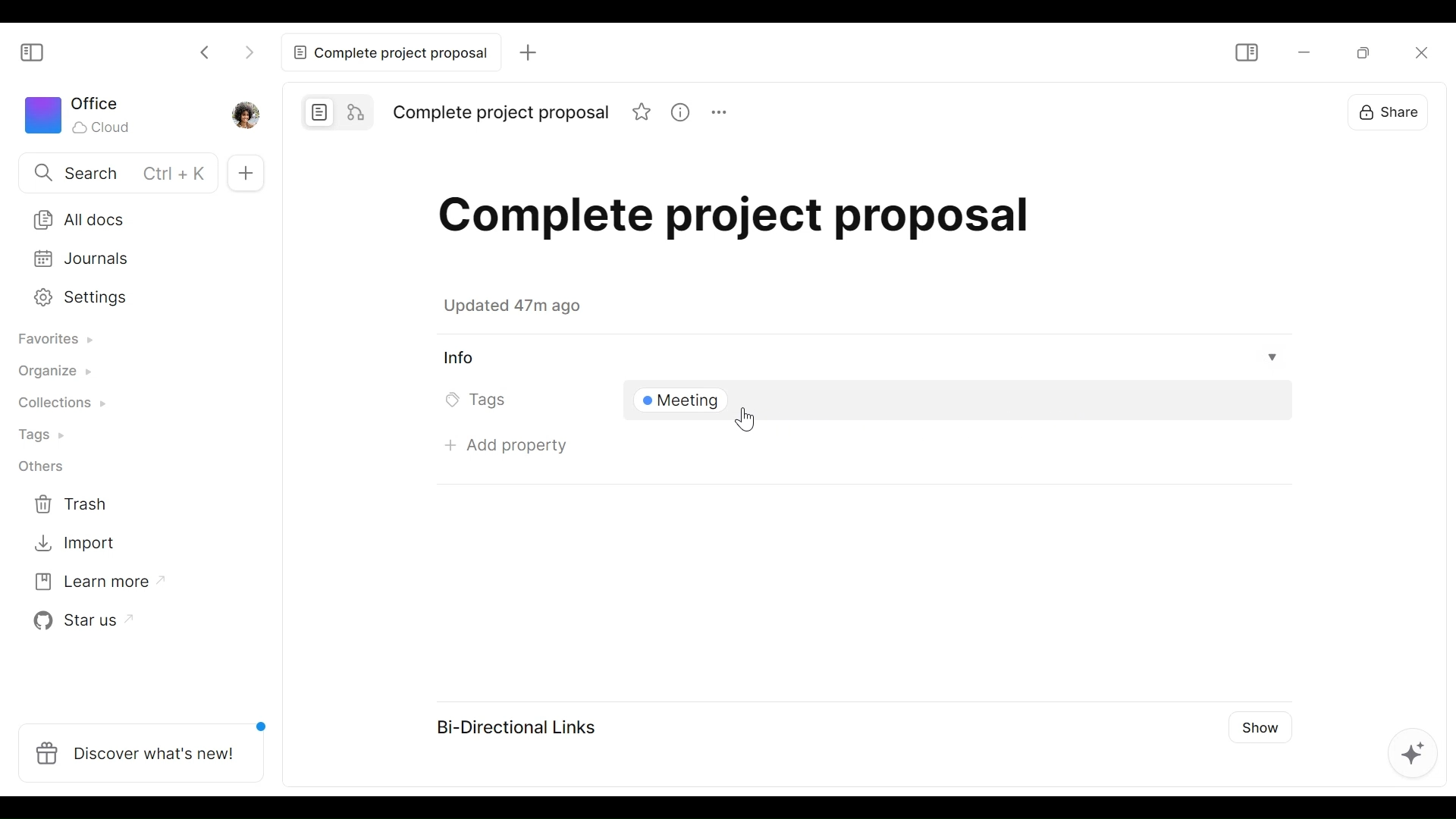 This screenshot has width=1456, height=819. I want to click on View Information, so click(679, 111).